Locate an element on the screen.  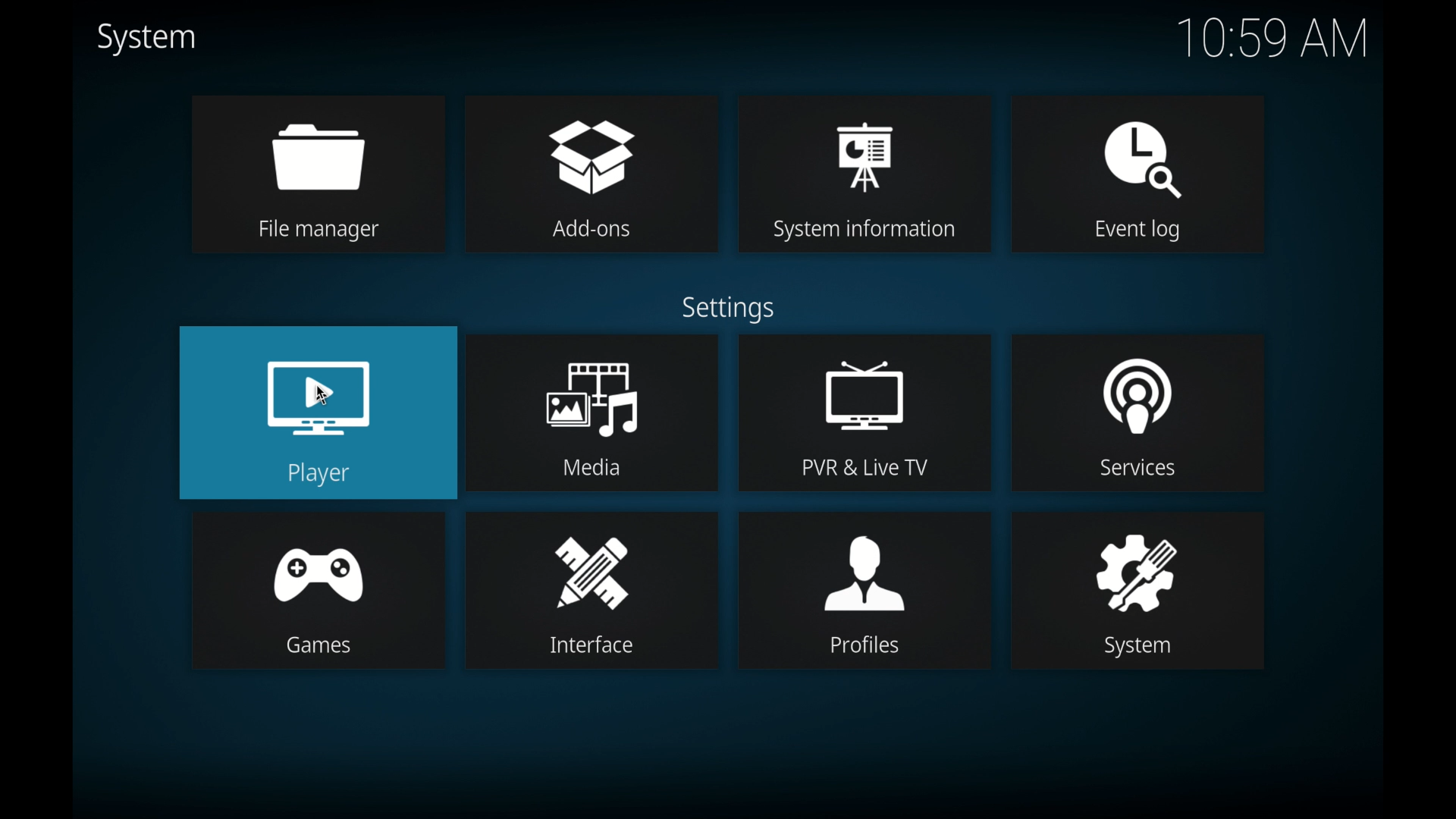
media is located at coordinates (593, 413).